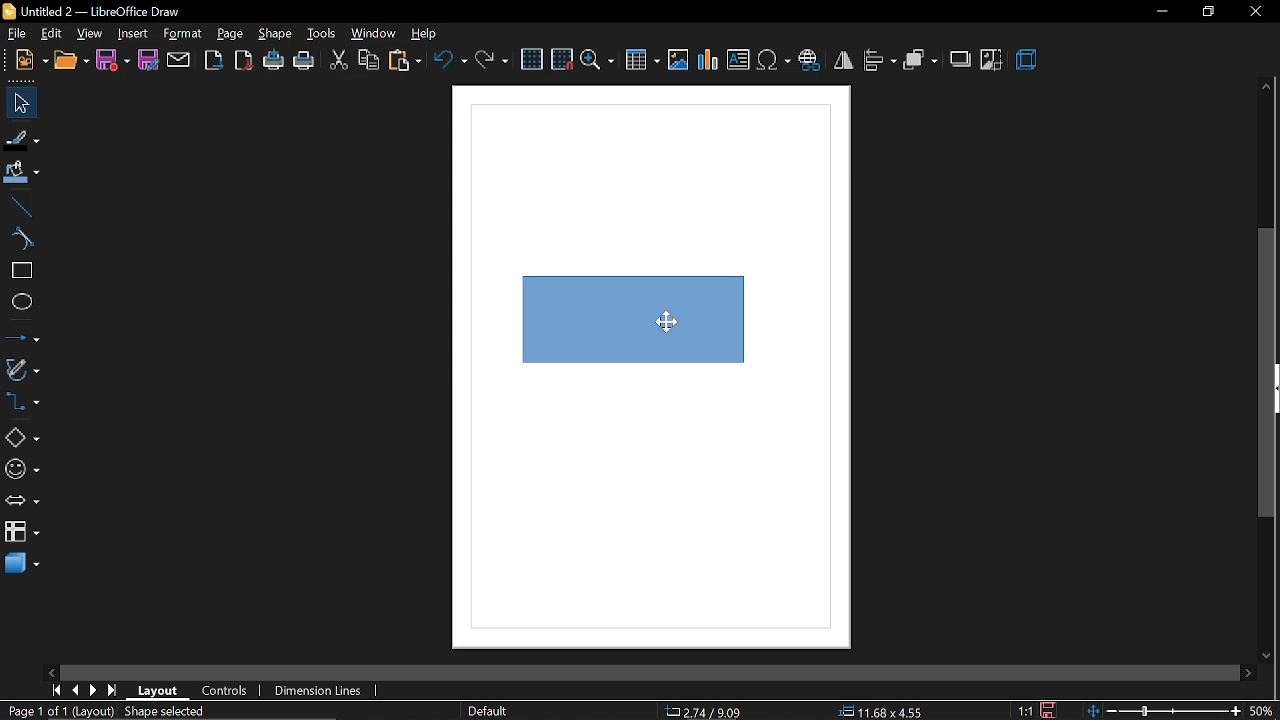 The height and width of the screenshot is (720, 1280). Describe the element at coordinates (306, 60) in the screenshot. I see `print` at that location.